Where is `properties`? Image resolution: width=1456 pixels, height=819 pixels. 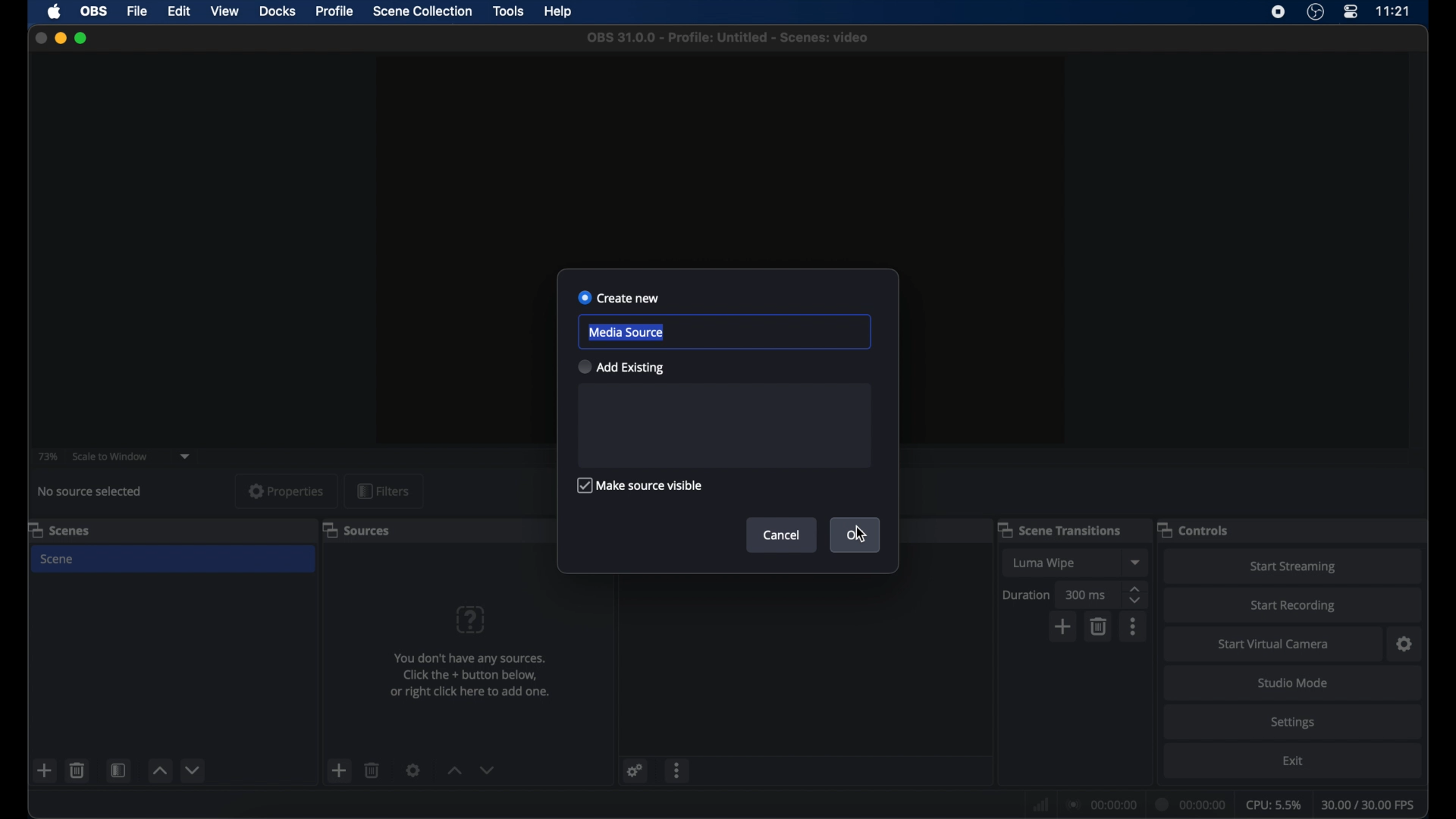 properties is located at coordinates (287, 491).